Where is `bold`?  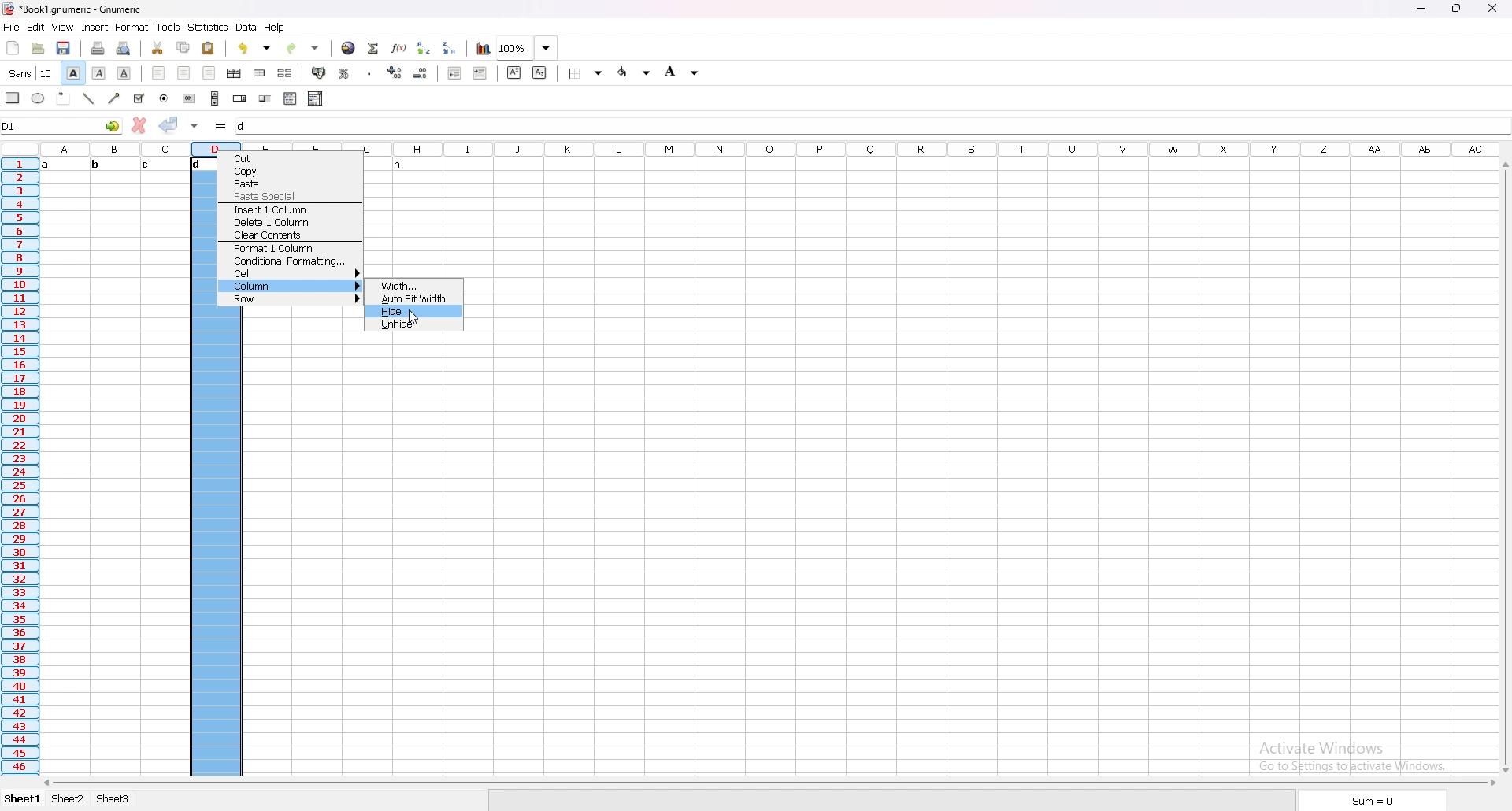 bold is located at coordinates (72, 72).